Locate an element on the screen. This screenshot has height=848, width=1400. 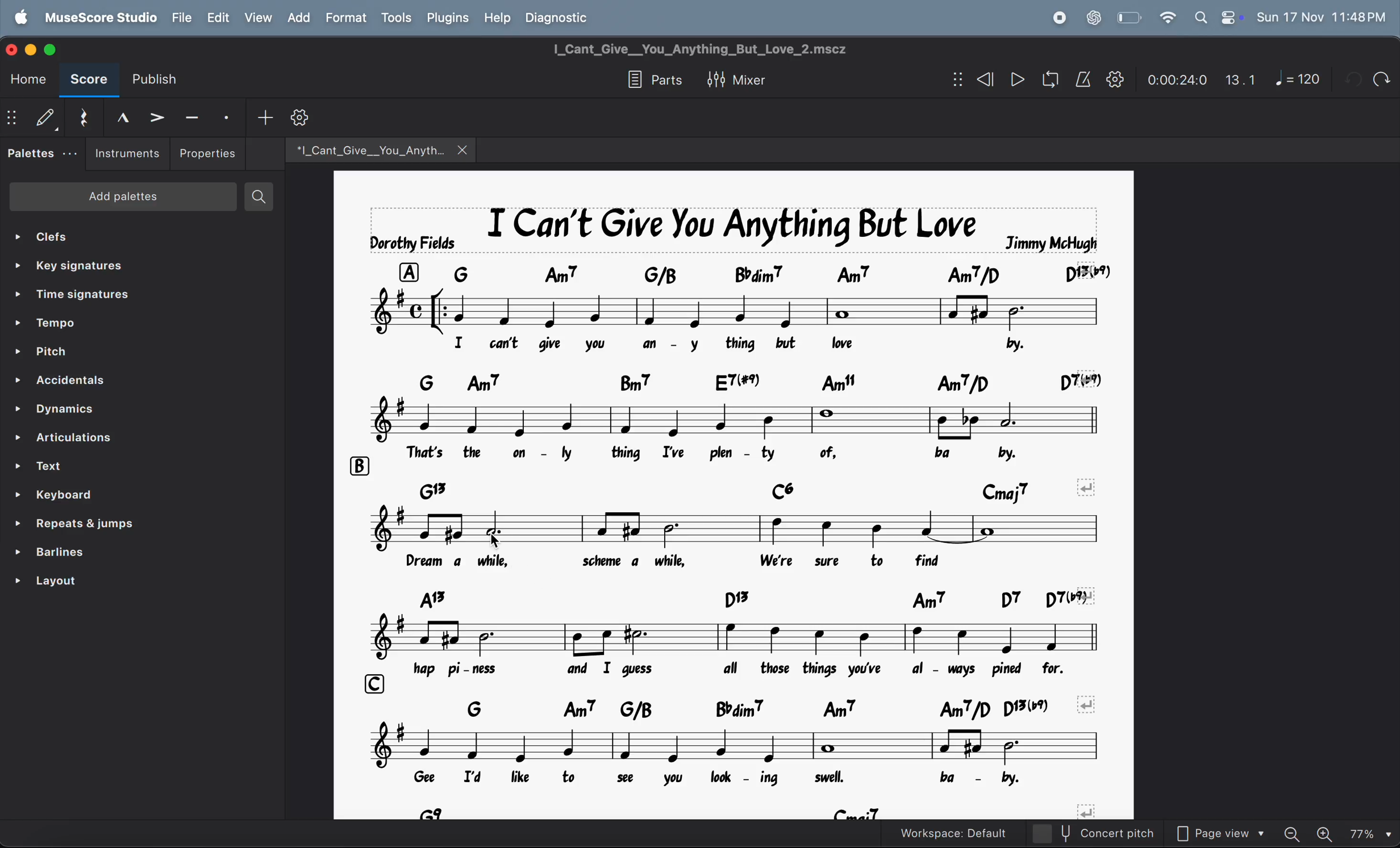
lyrics is located at coordinates (714, 453).